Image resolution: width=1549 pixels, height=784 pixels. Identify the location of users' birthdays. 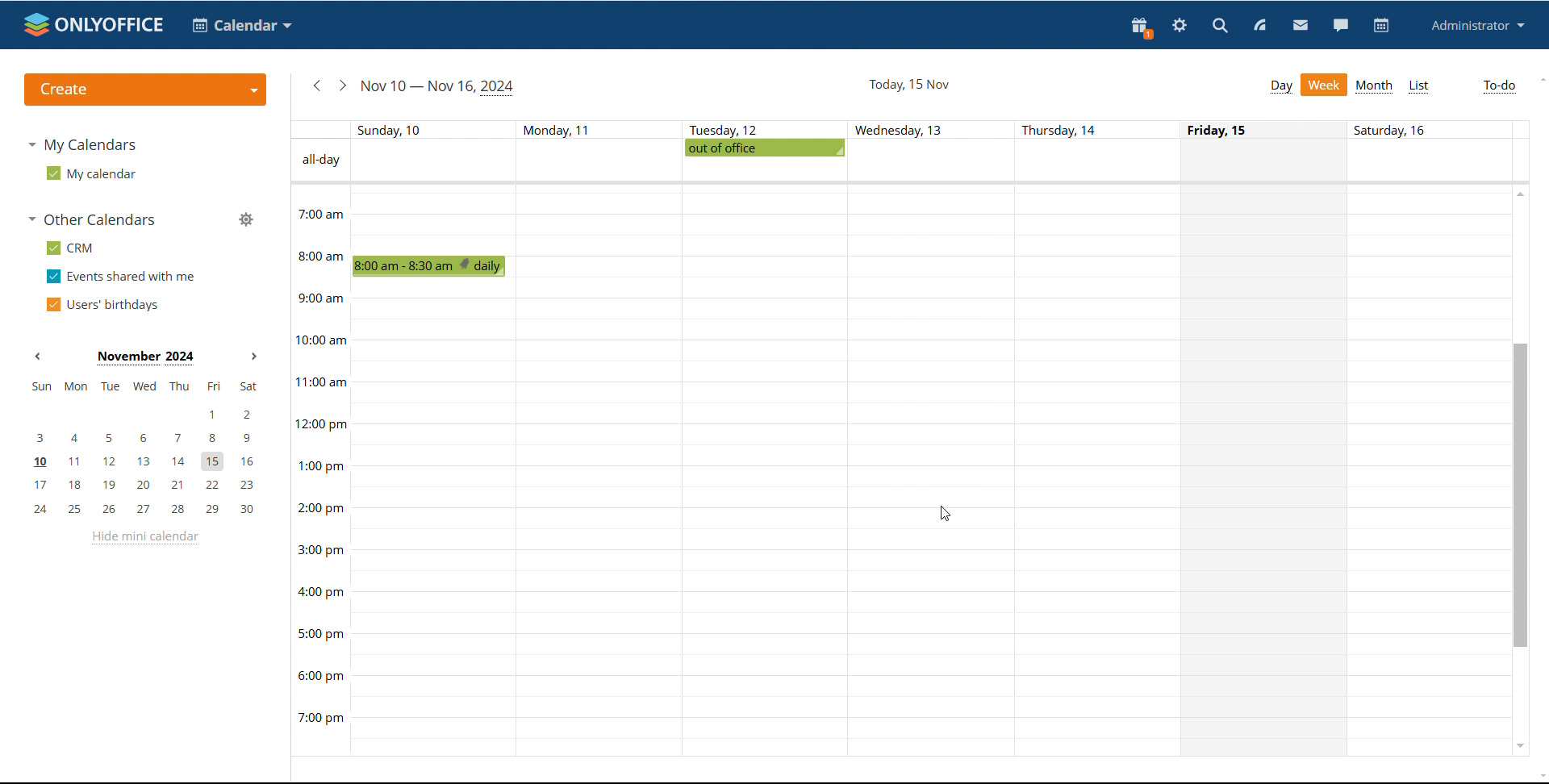
(102, 305).